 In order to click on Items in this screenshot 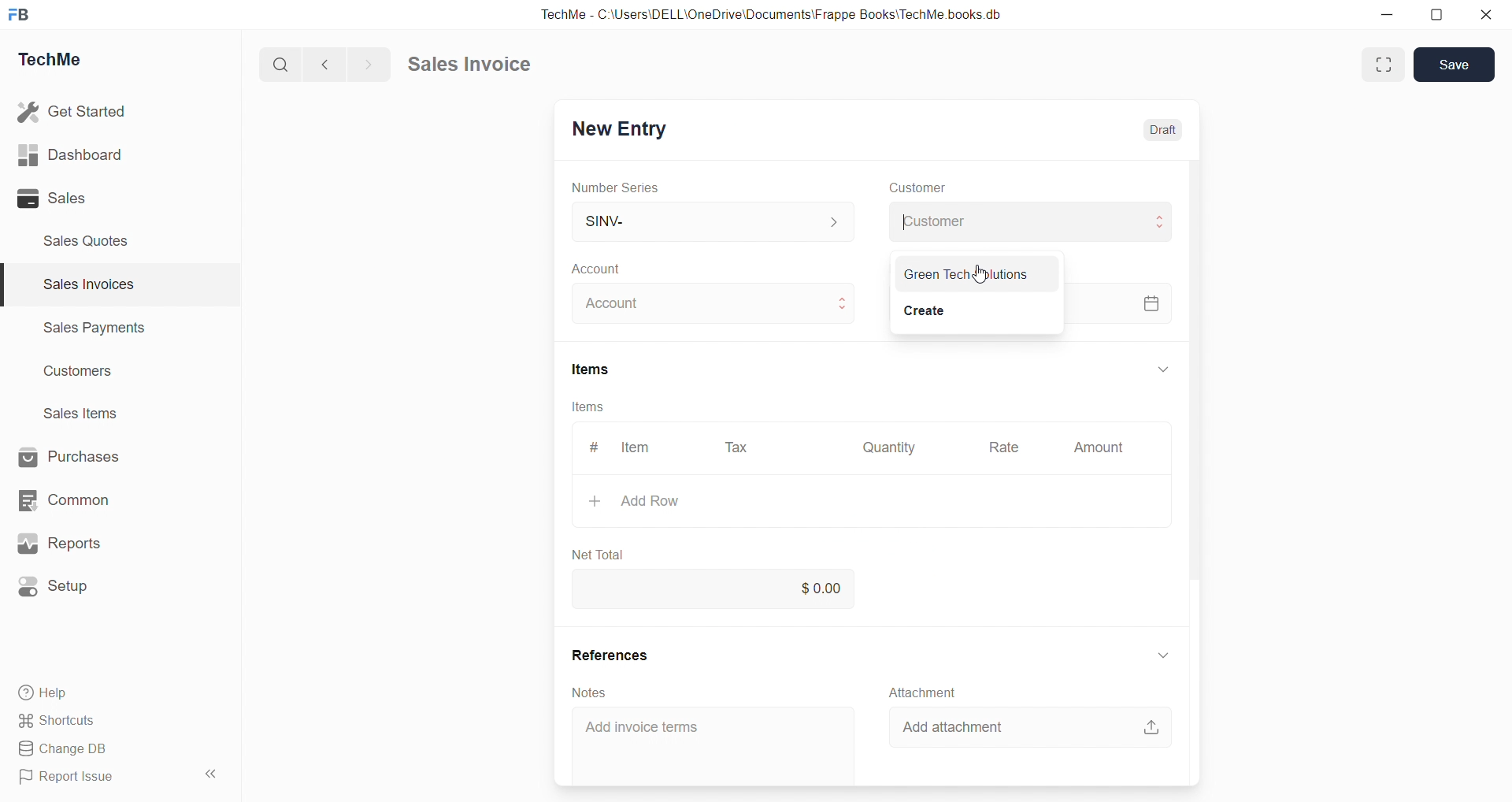, I will do `click(587, 407)`.